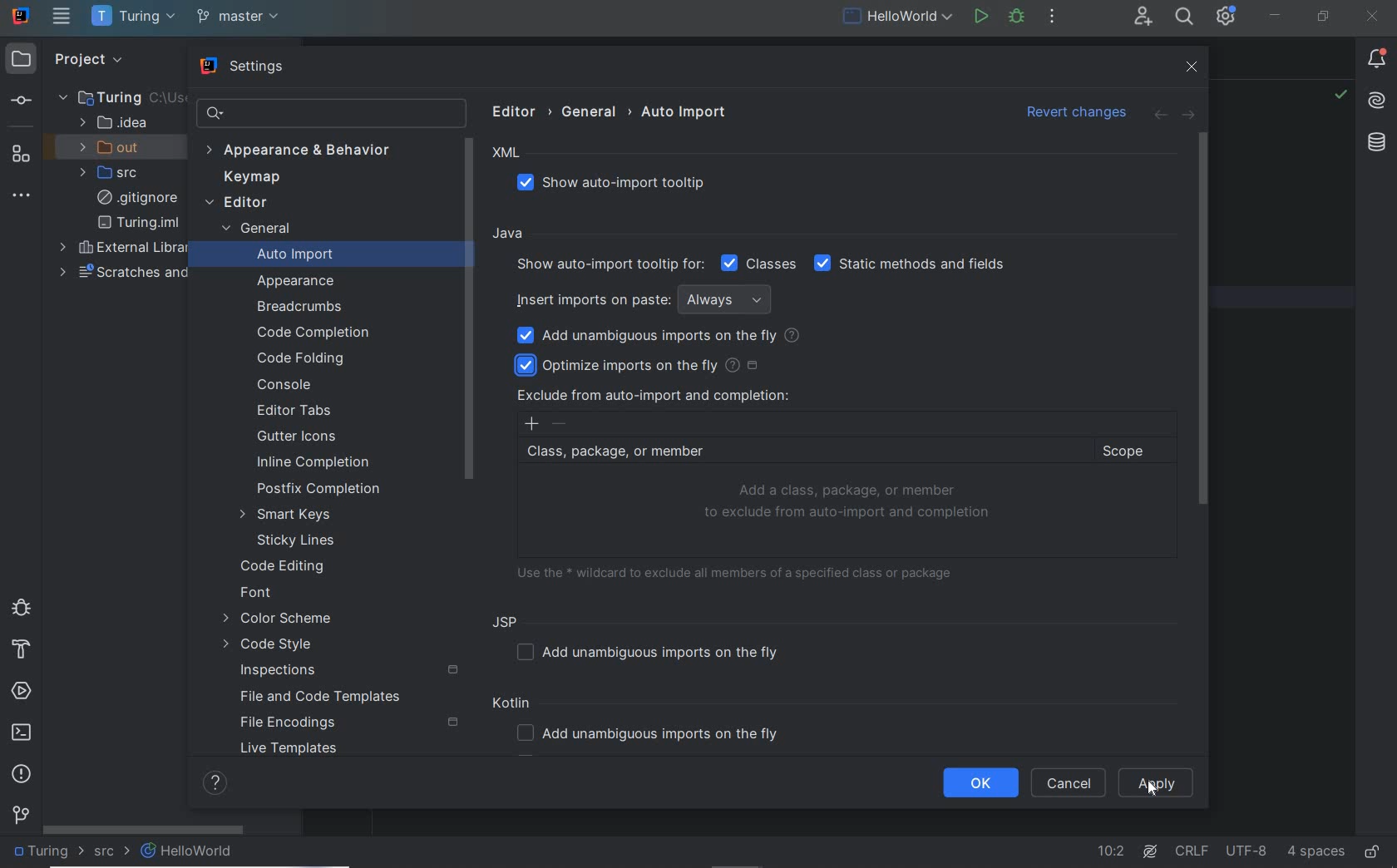 The image size is (1397, 868). Describe the element at coordinates (236, 204) in the screenshot. I see `EDITOR` at that location.